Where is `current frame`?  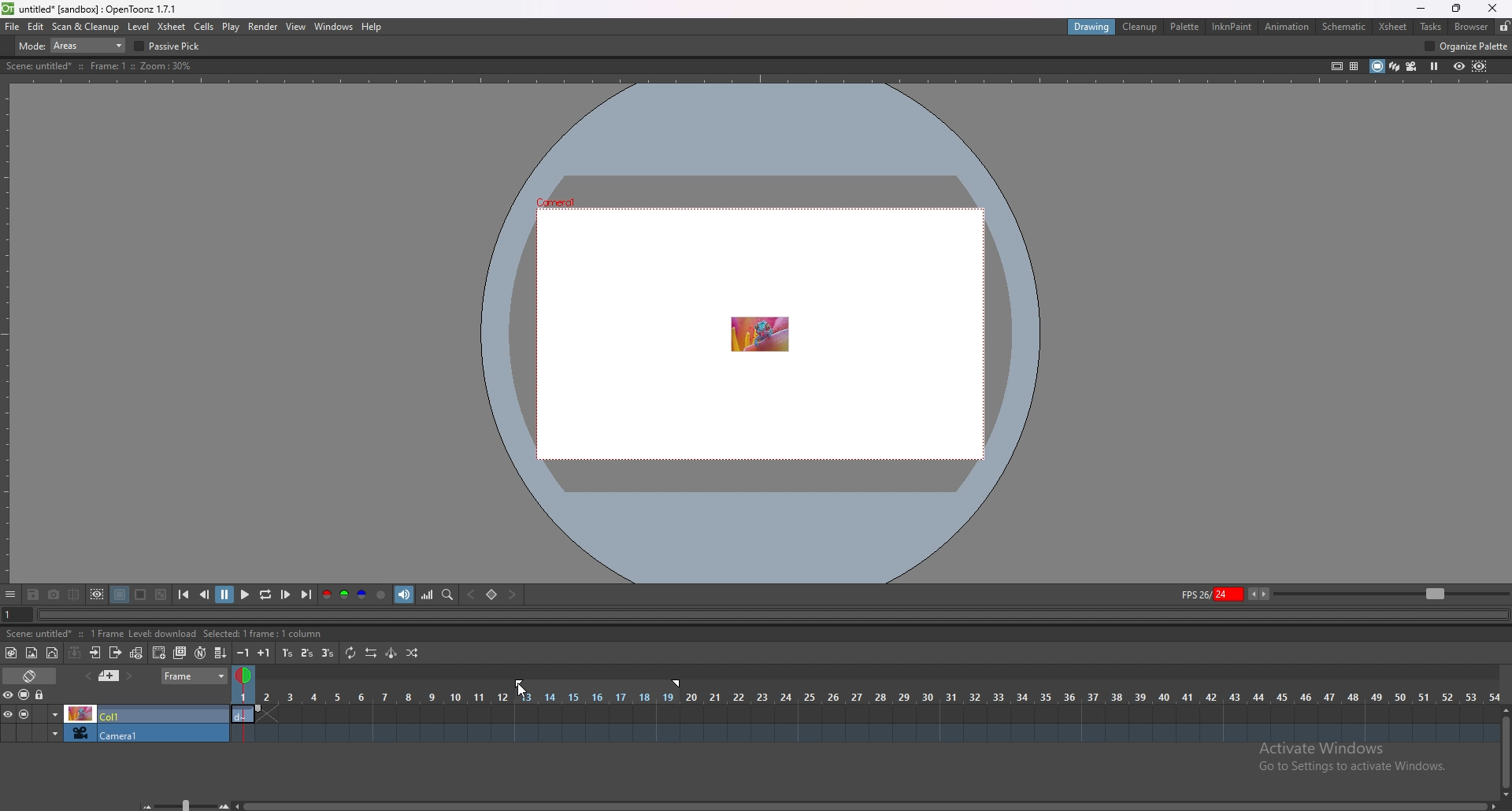
current frame is located at coordinates (13, 617).